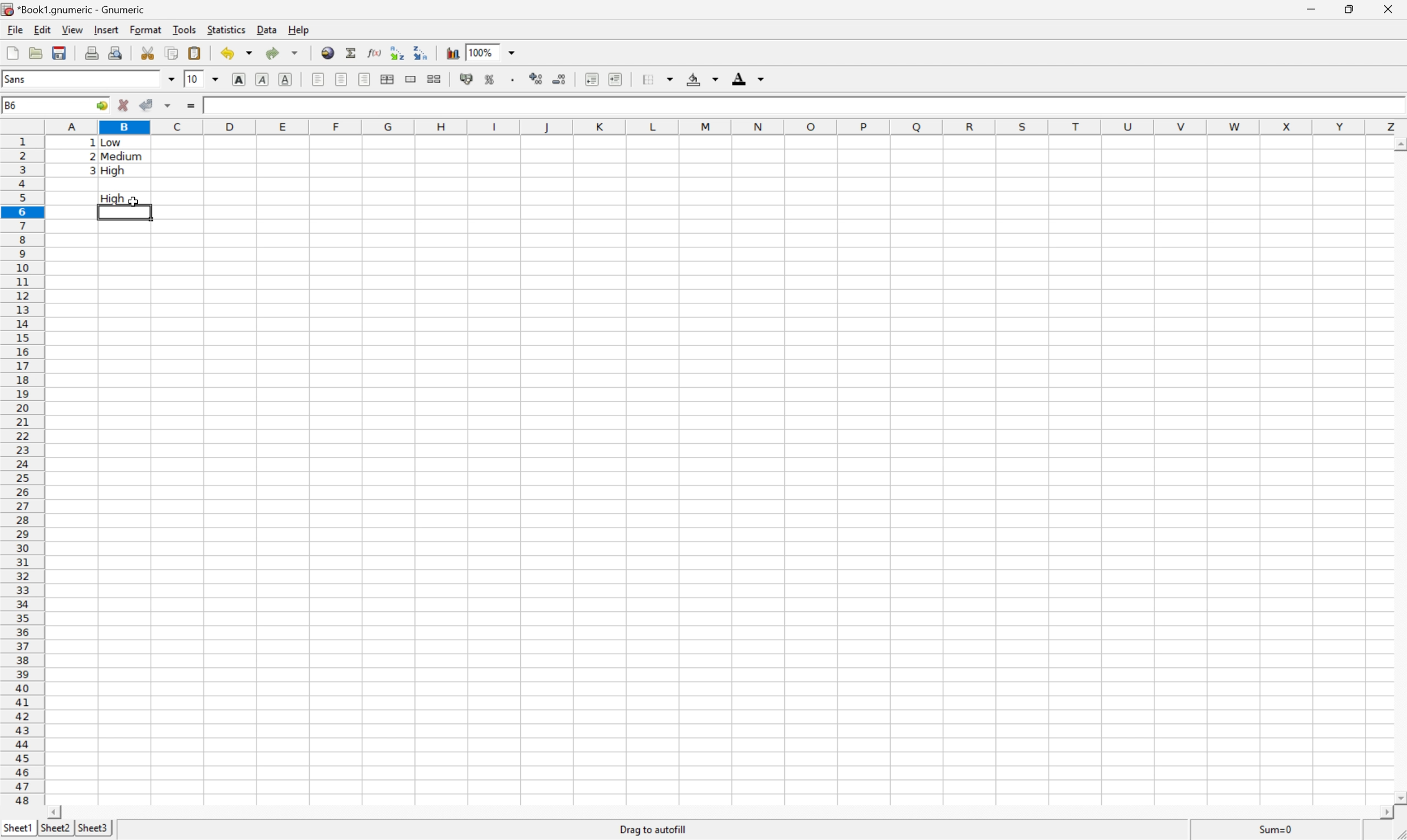 The height and width of the screenshot is (840, 1407). I want to click on =CHOOSE(A3, "Low", "Medium", "High"), so click(292, 105).